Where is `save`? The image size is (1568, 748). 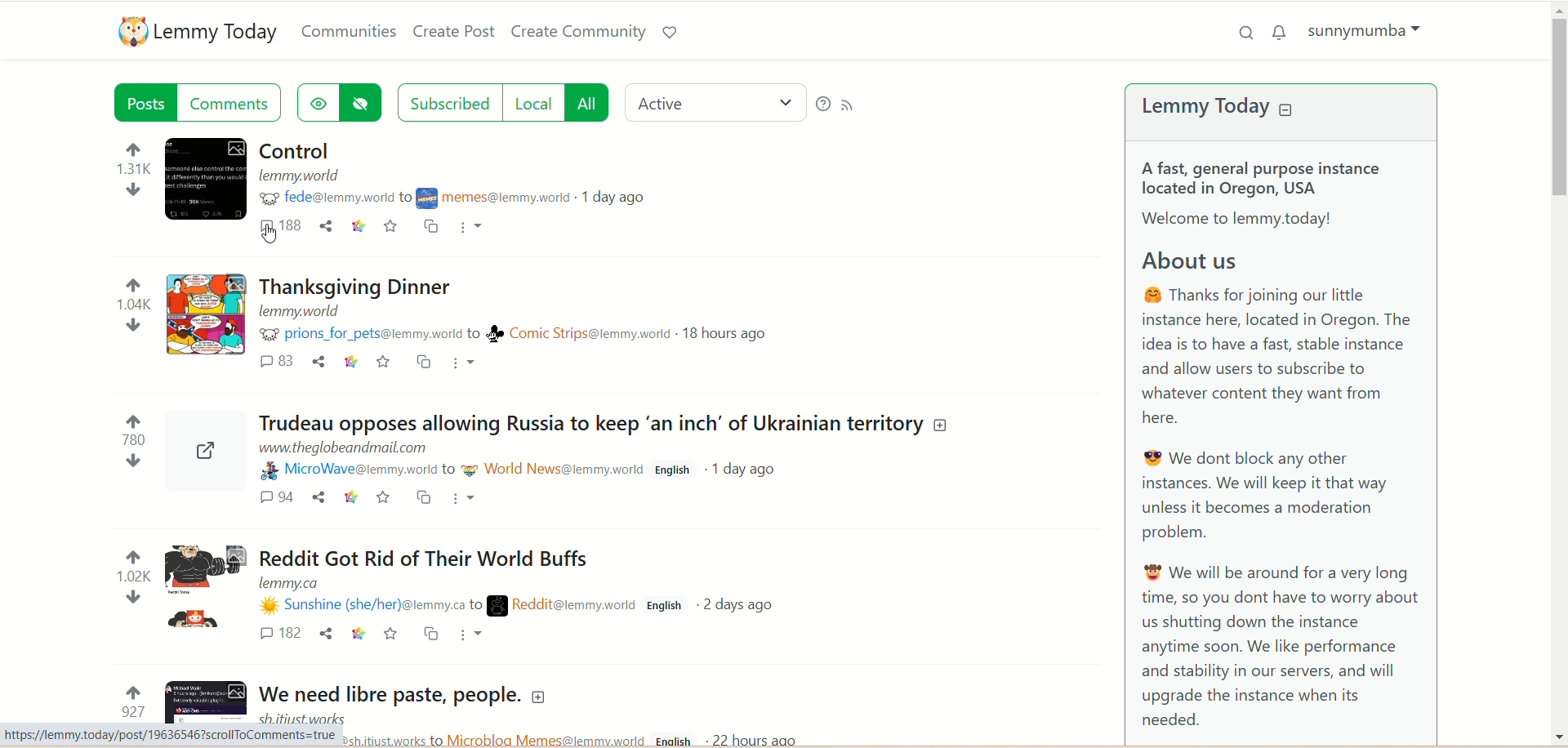
save is located at coordinates (390, 634).